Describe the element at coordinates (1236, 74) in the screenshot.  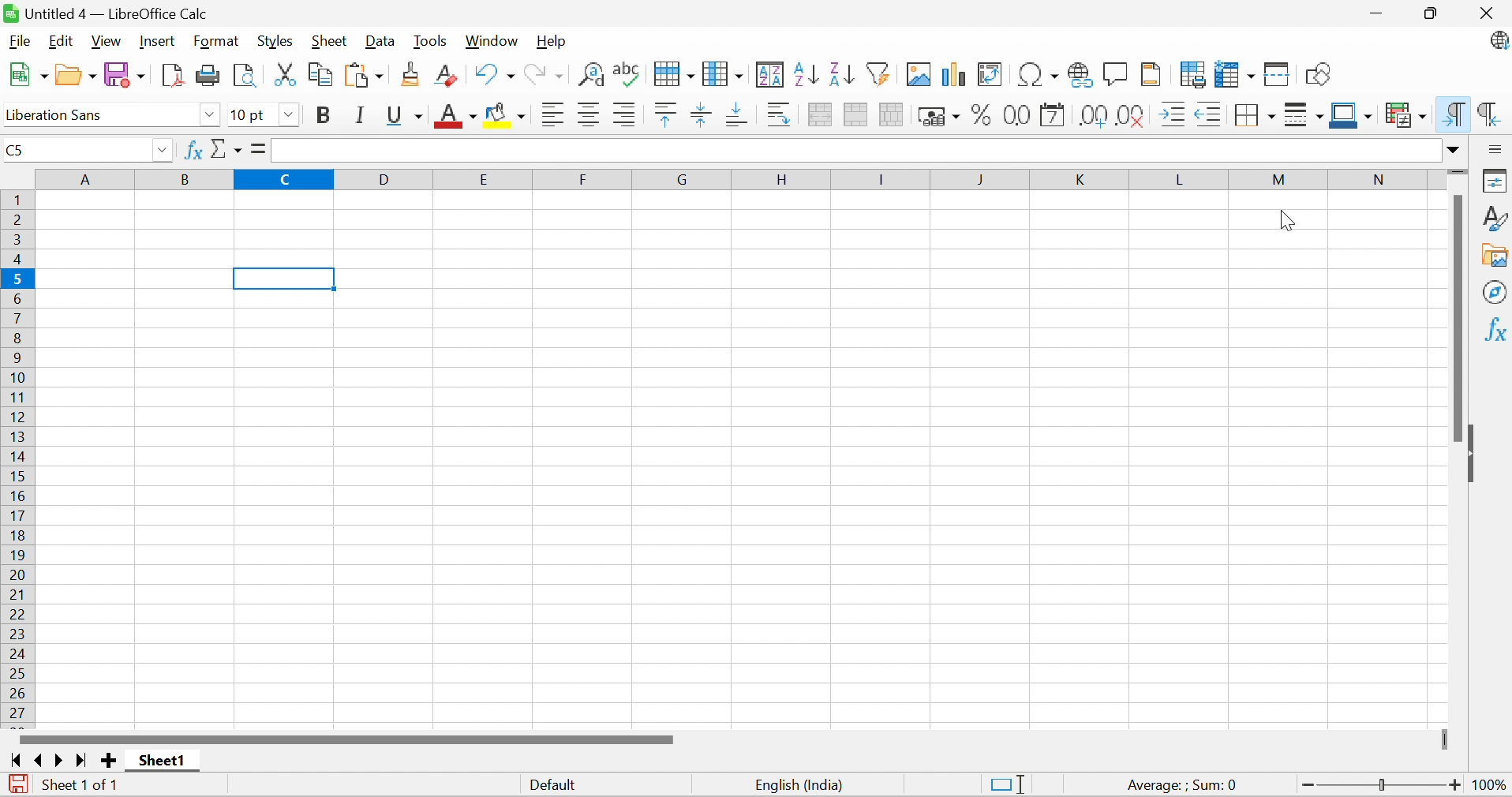
I see `Freeze Rows and Columns` at that location.